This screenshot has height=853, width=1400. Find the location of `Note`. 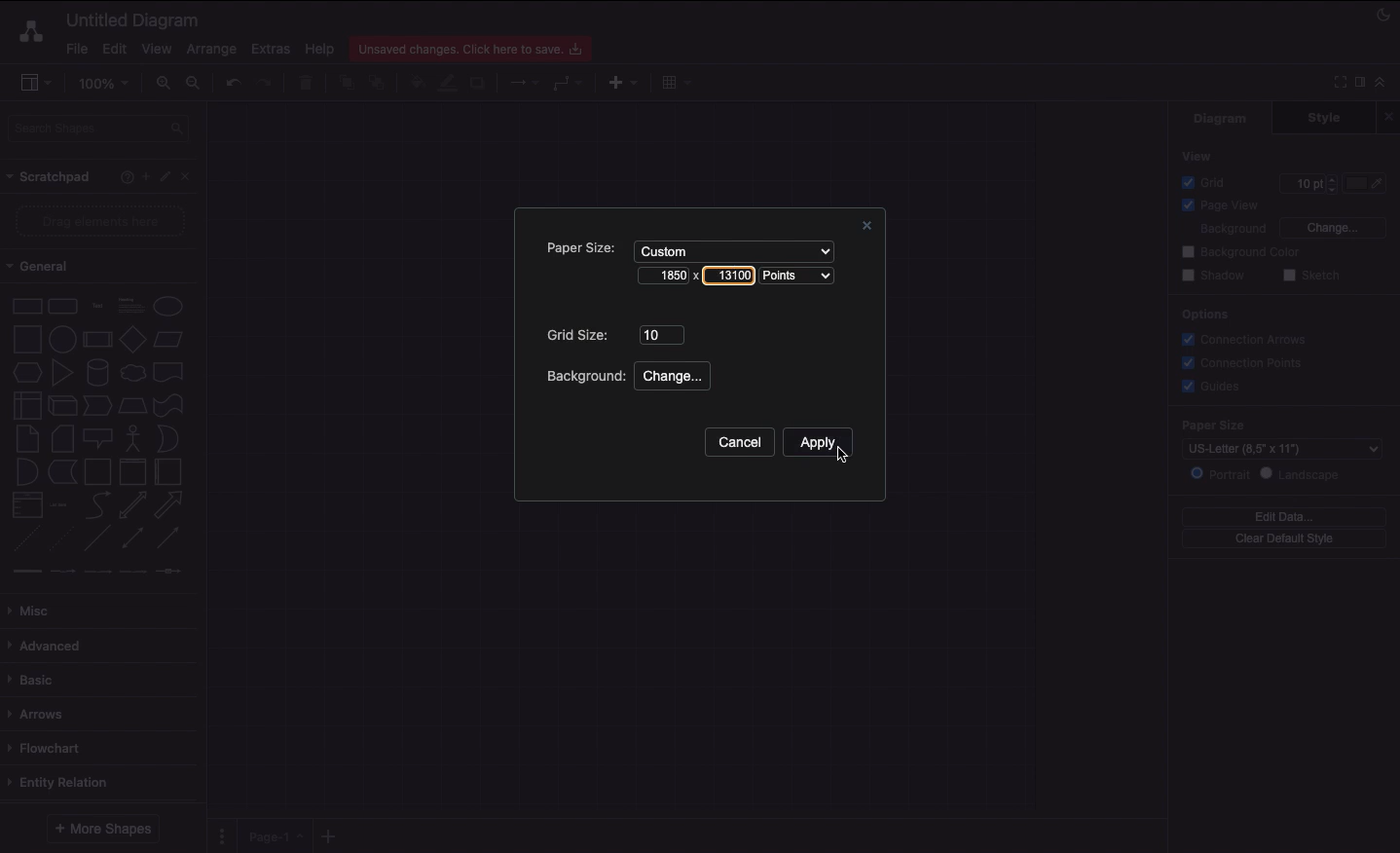

Note is located at coordinates (25, 439).